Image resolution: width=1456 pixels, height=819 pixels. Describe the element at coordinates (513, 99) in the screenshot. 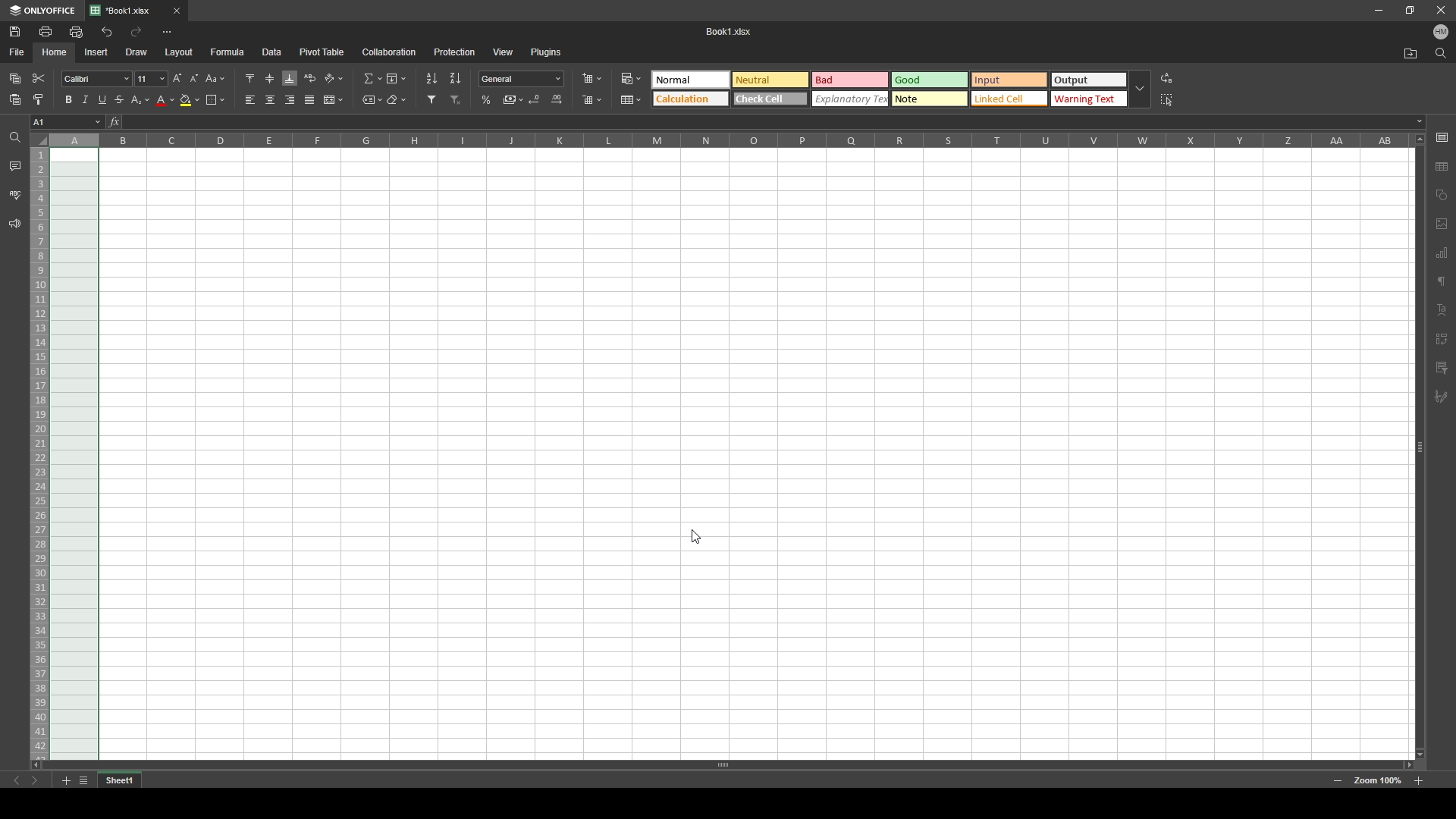

I see `comma style` at that location.